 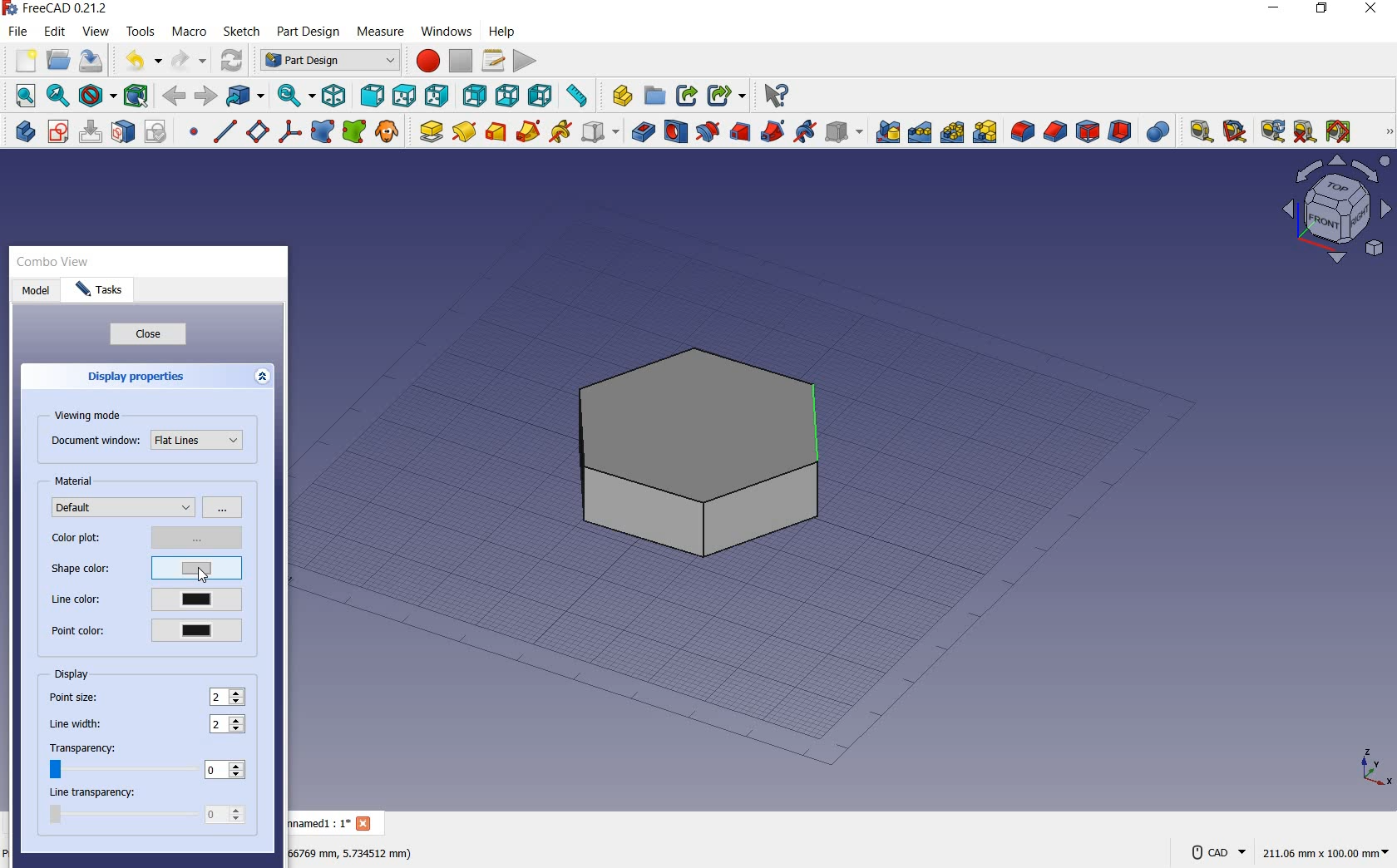 I want to click on display properties, so click(x=145, y=377).